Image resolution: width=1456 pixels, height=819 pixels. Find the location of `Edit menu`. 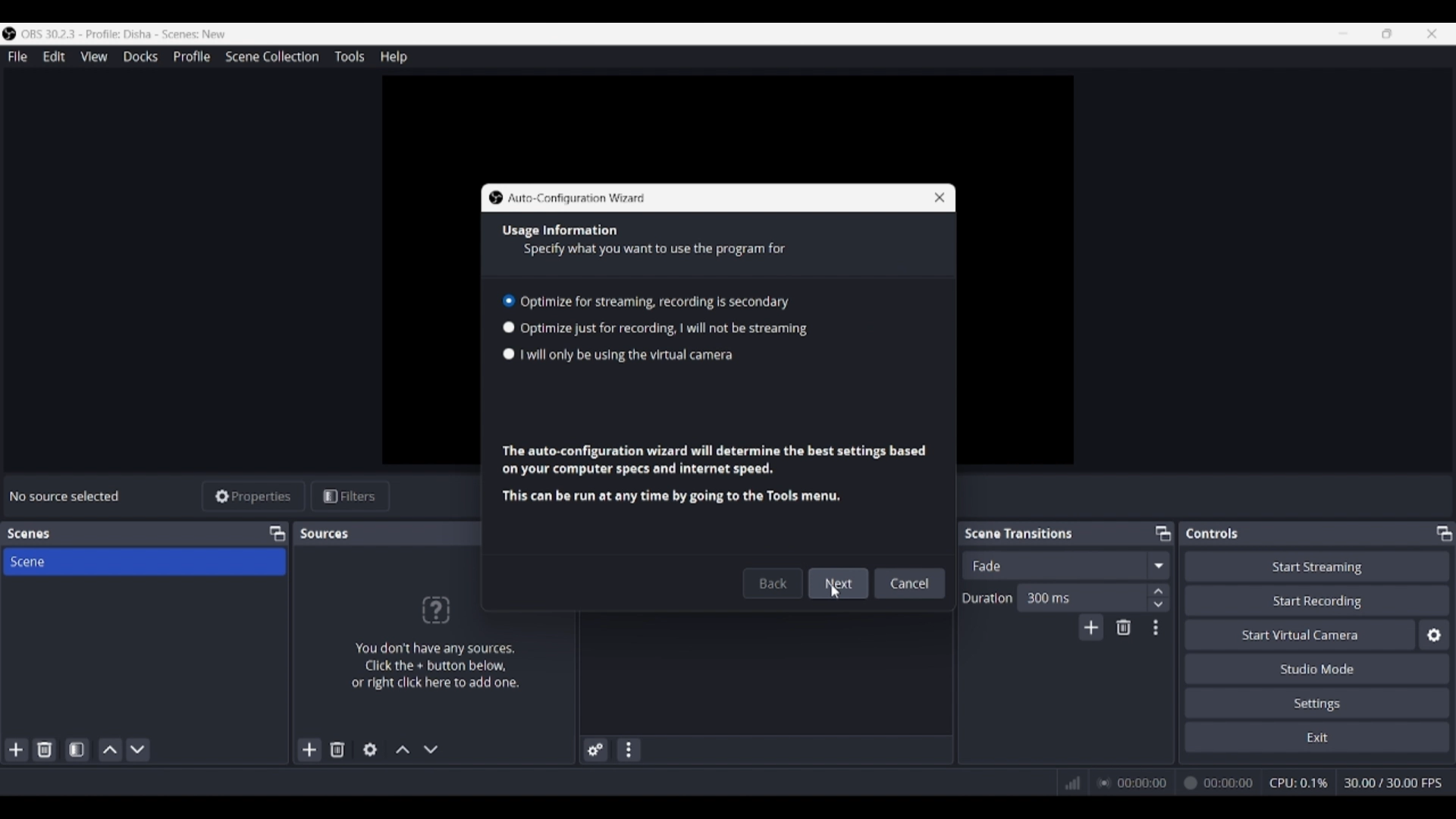

Edit menu is located at coordinates (53, 57).